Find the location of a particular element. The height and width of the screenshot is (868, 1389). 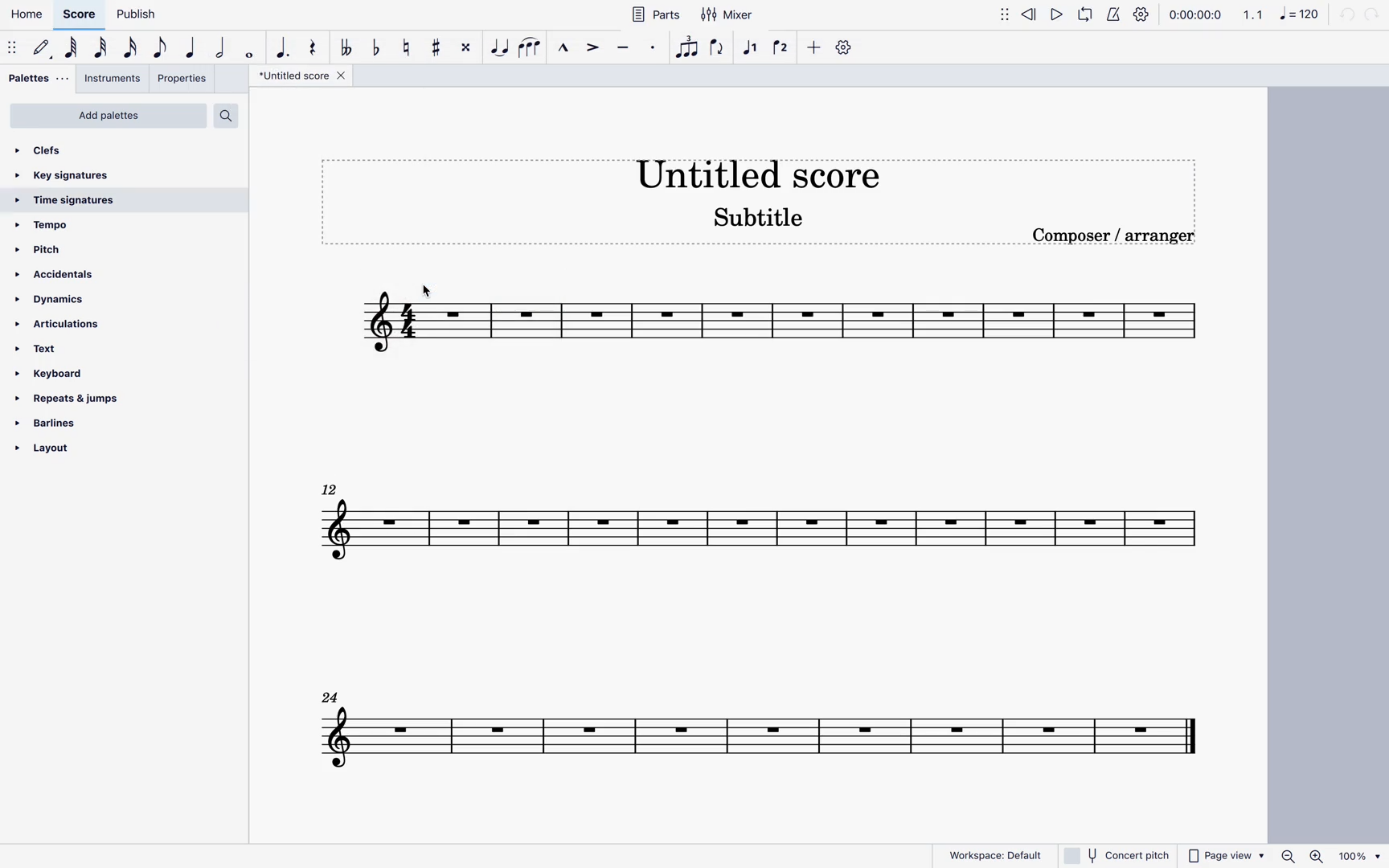

16th note is located at coordinates (128, 51).